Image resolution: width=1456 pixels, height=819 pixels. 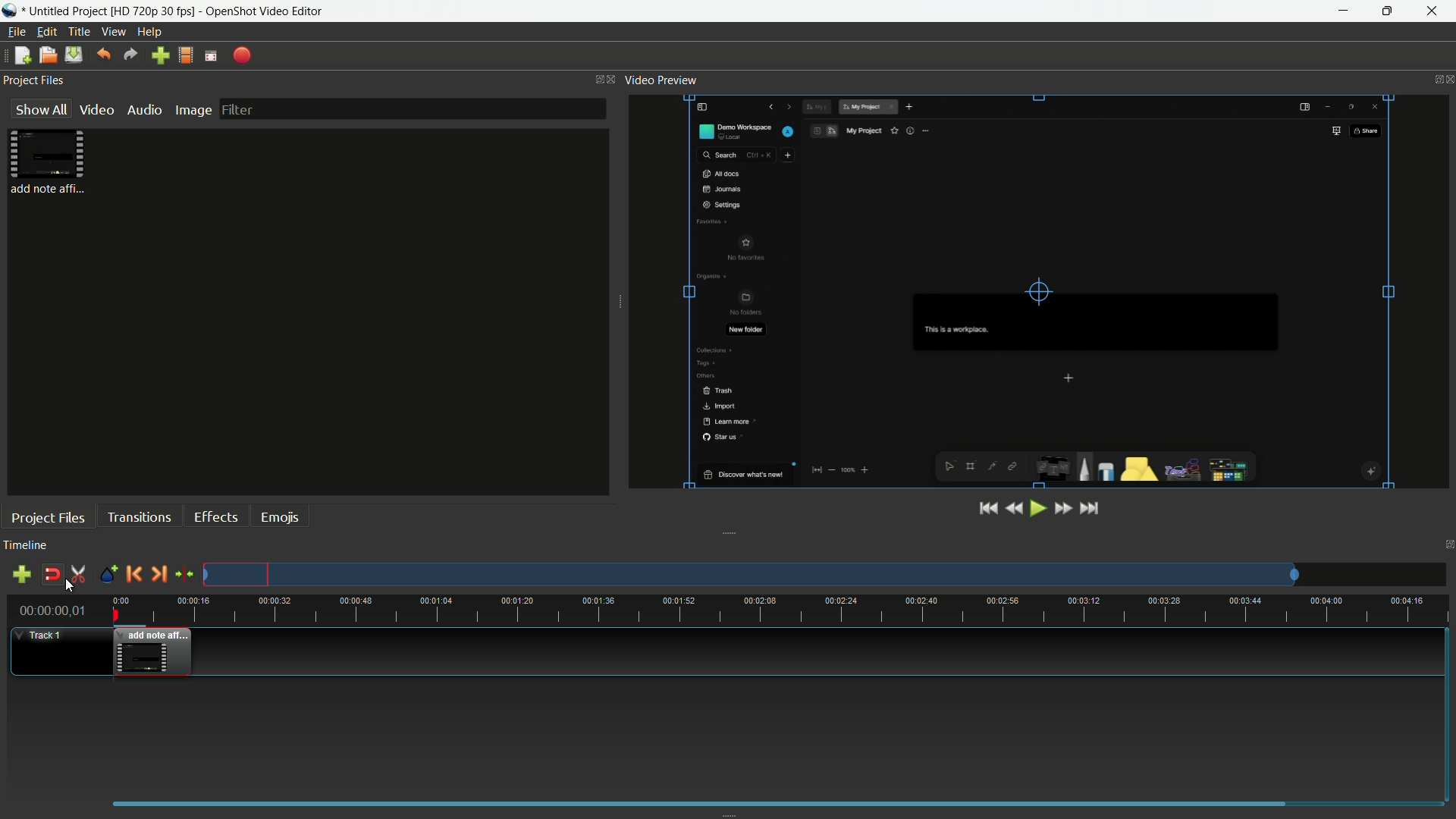 What do you see at coordinates (594, 80) in the screenshot?
I see `change layout` at bounding box center [594, 80].